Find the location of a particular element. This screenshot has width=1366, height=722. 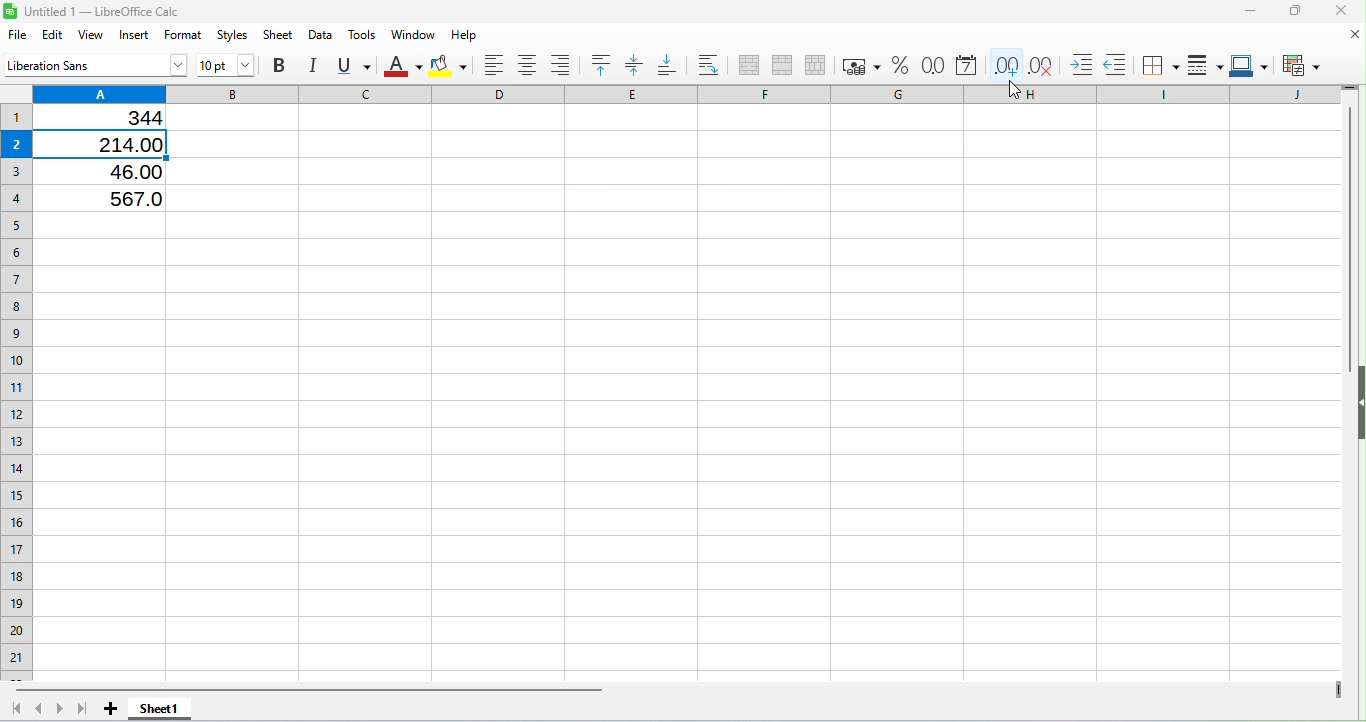

Align center is located at coordinates (531, 66).